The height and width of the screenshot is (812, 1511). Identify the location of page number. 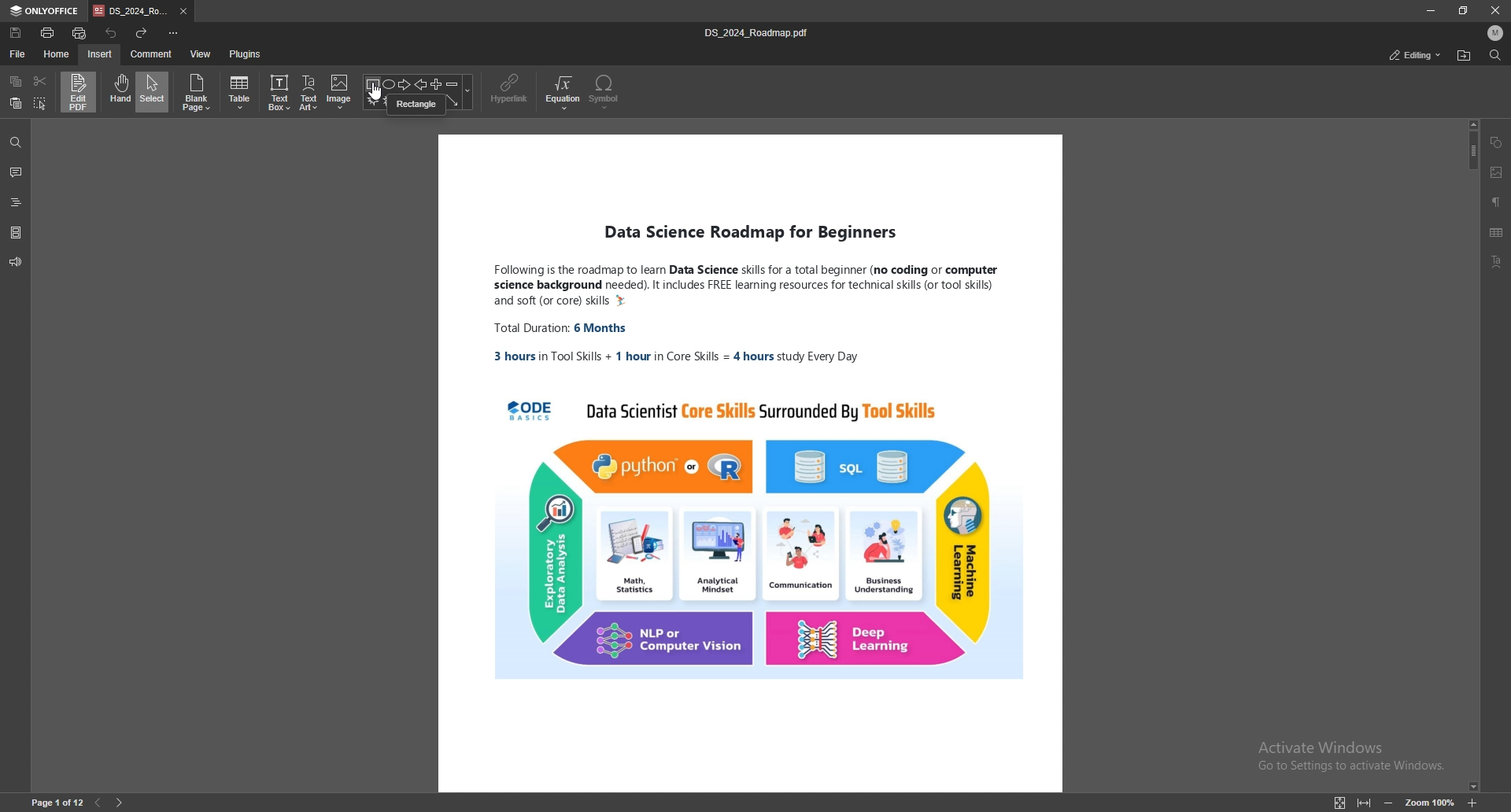
(57, 803).